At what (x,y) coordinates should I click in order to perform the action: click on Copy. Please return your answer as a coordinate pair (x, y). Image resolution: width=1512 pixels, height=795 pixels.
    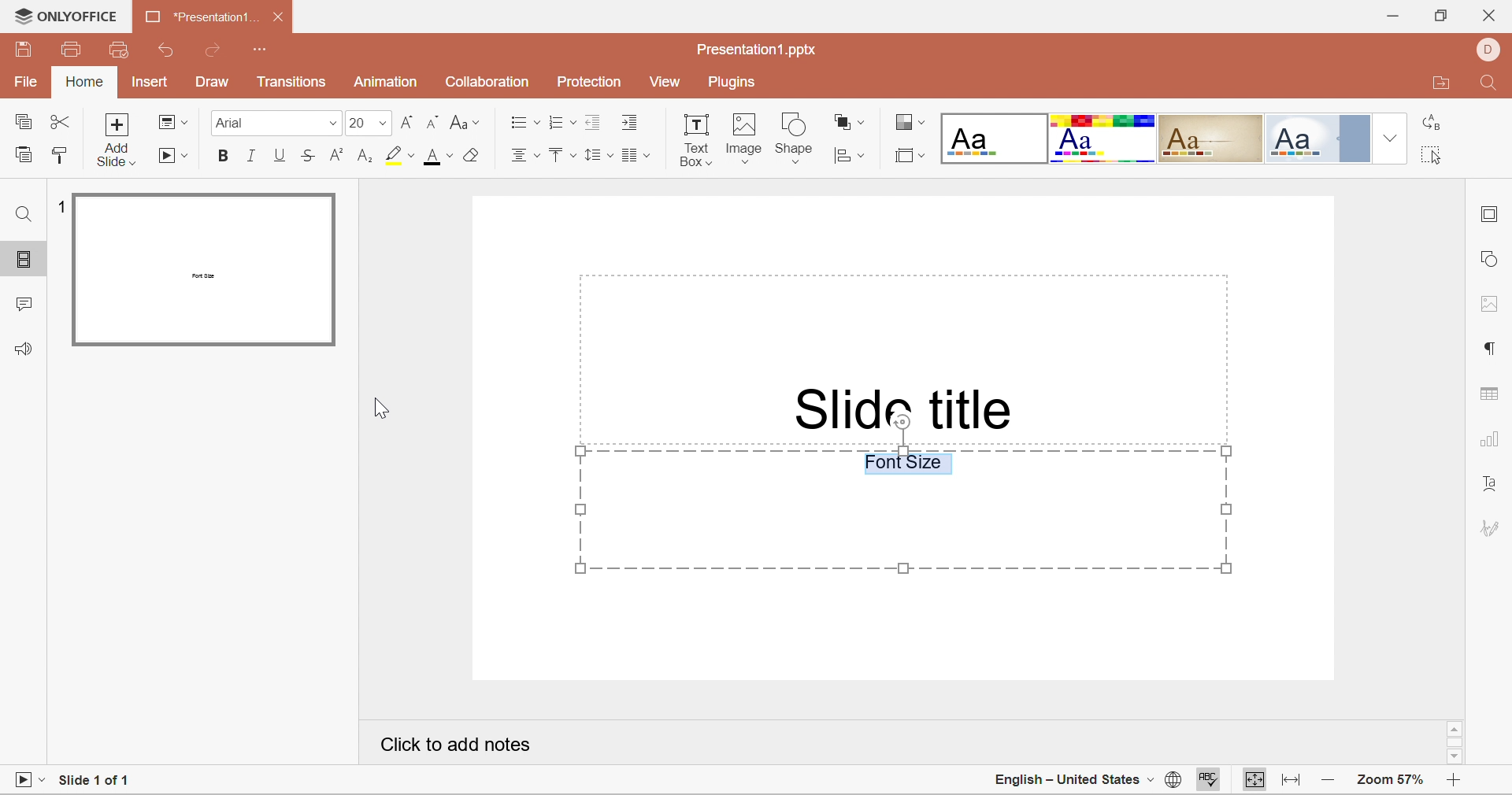
    Looking at the image, I should click on (26, 123).